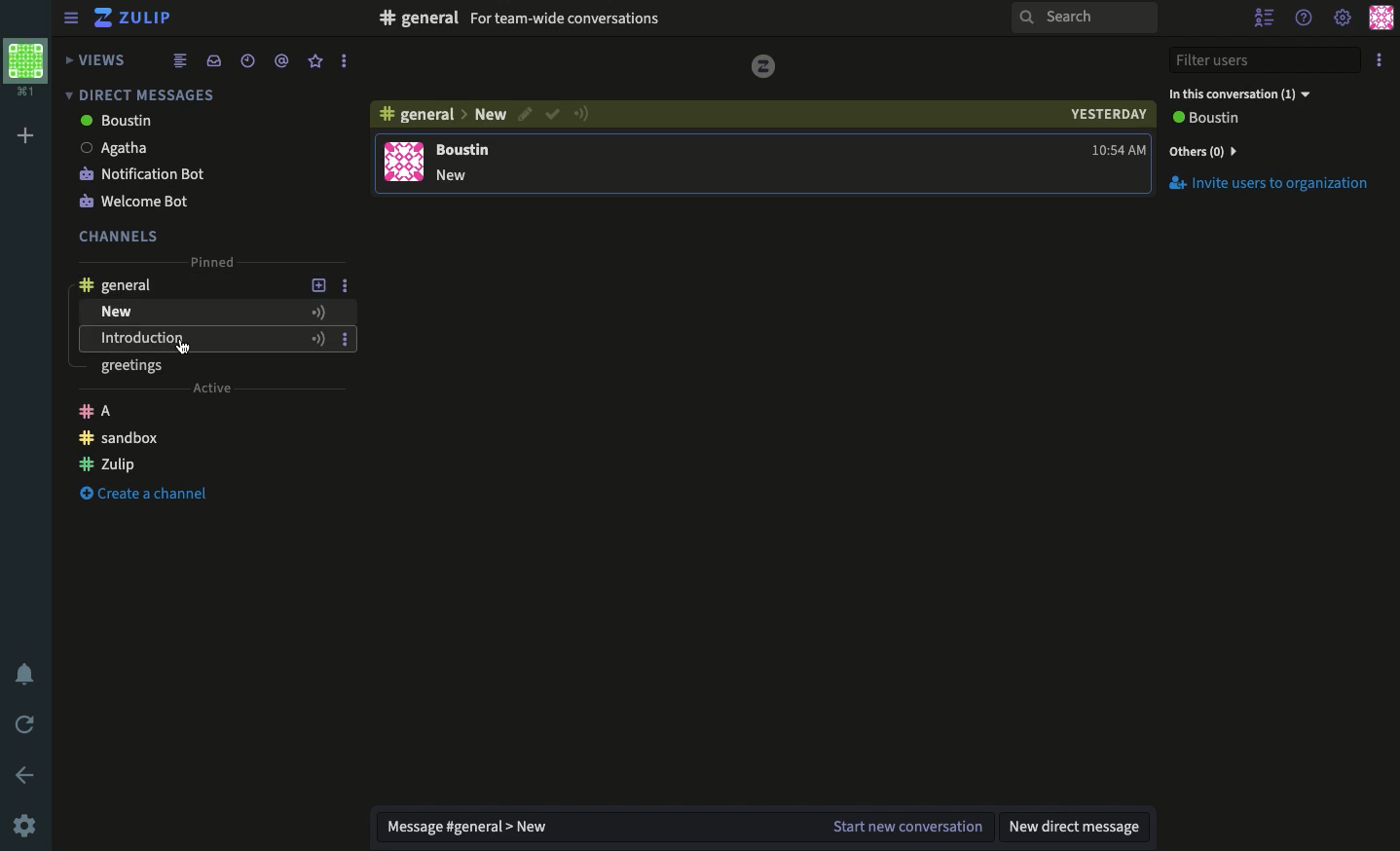  What do you see at coordinates (281, 59) in the screenshot?
I see `Tag` at bounding box center [281, 59].